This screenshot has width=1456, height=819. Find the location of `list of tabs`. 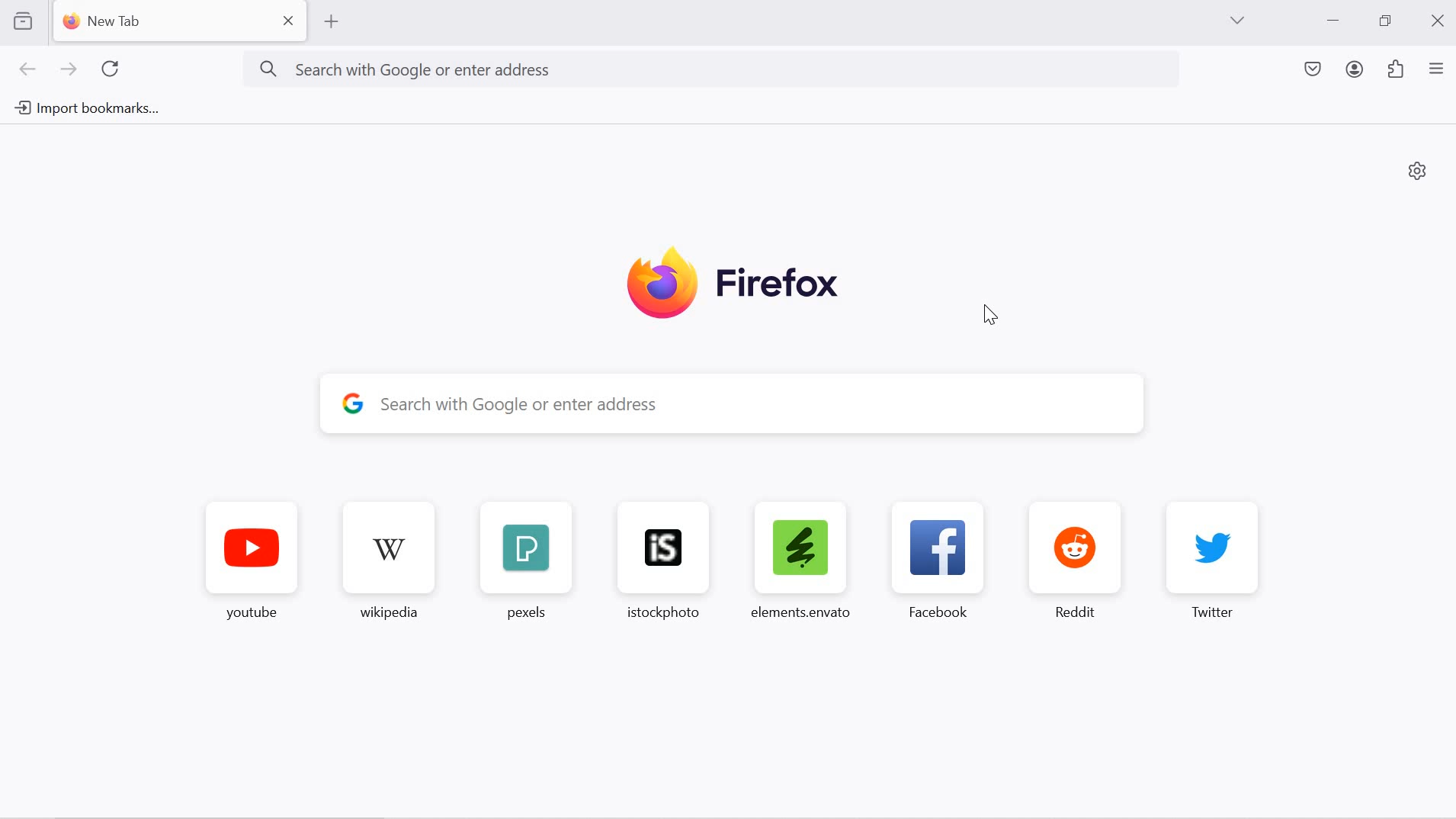

list of tabs is located at coordinates (1236, 19).